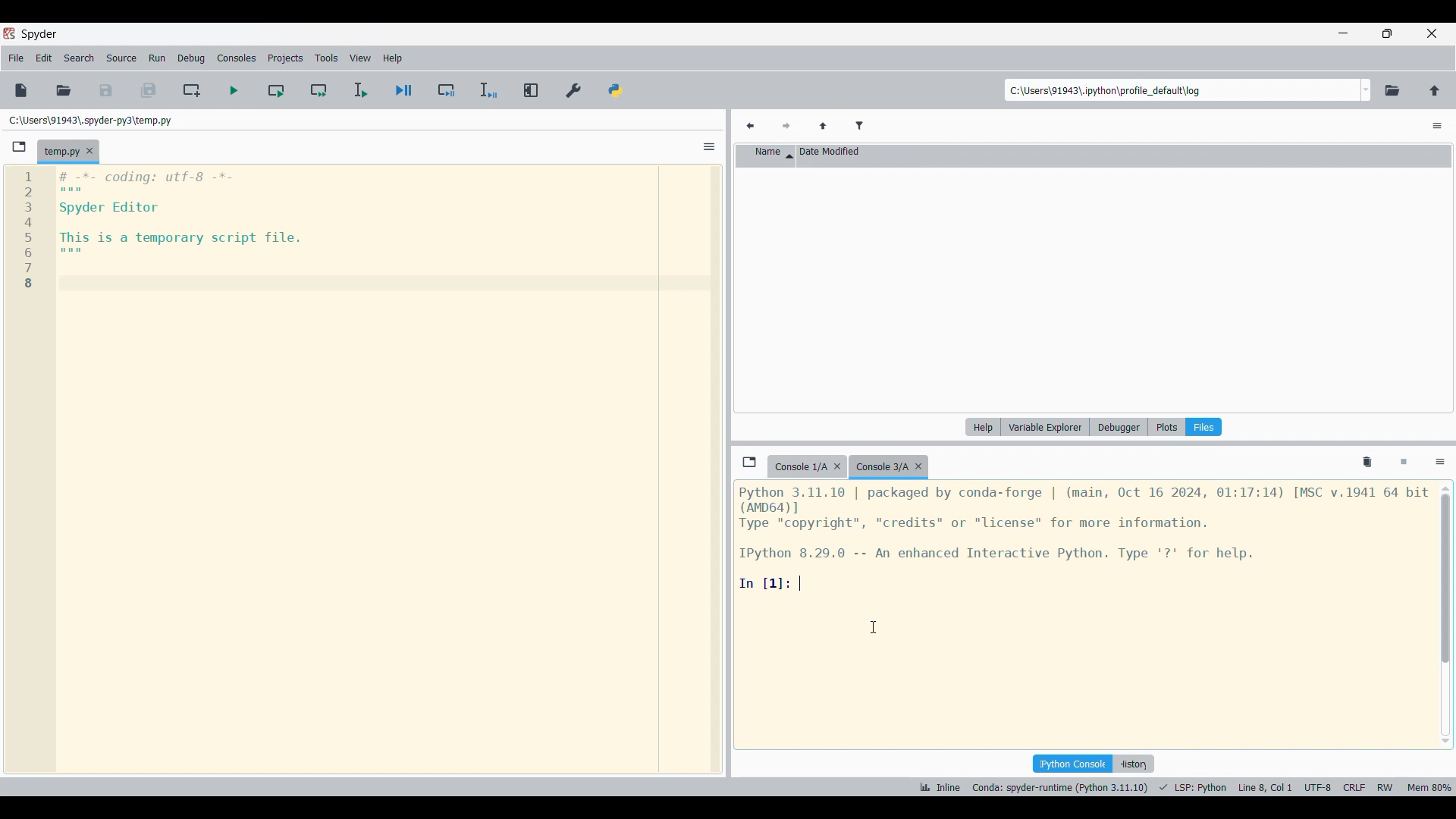 The width and height of the screenshot is (1456, 819). Describe the element at coordinates (1119, 427) in the screenshot. I see `Debugger` at that location.